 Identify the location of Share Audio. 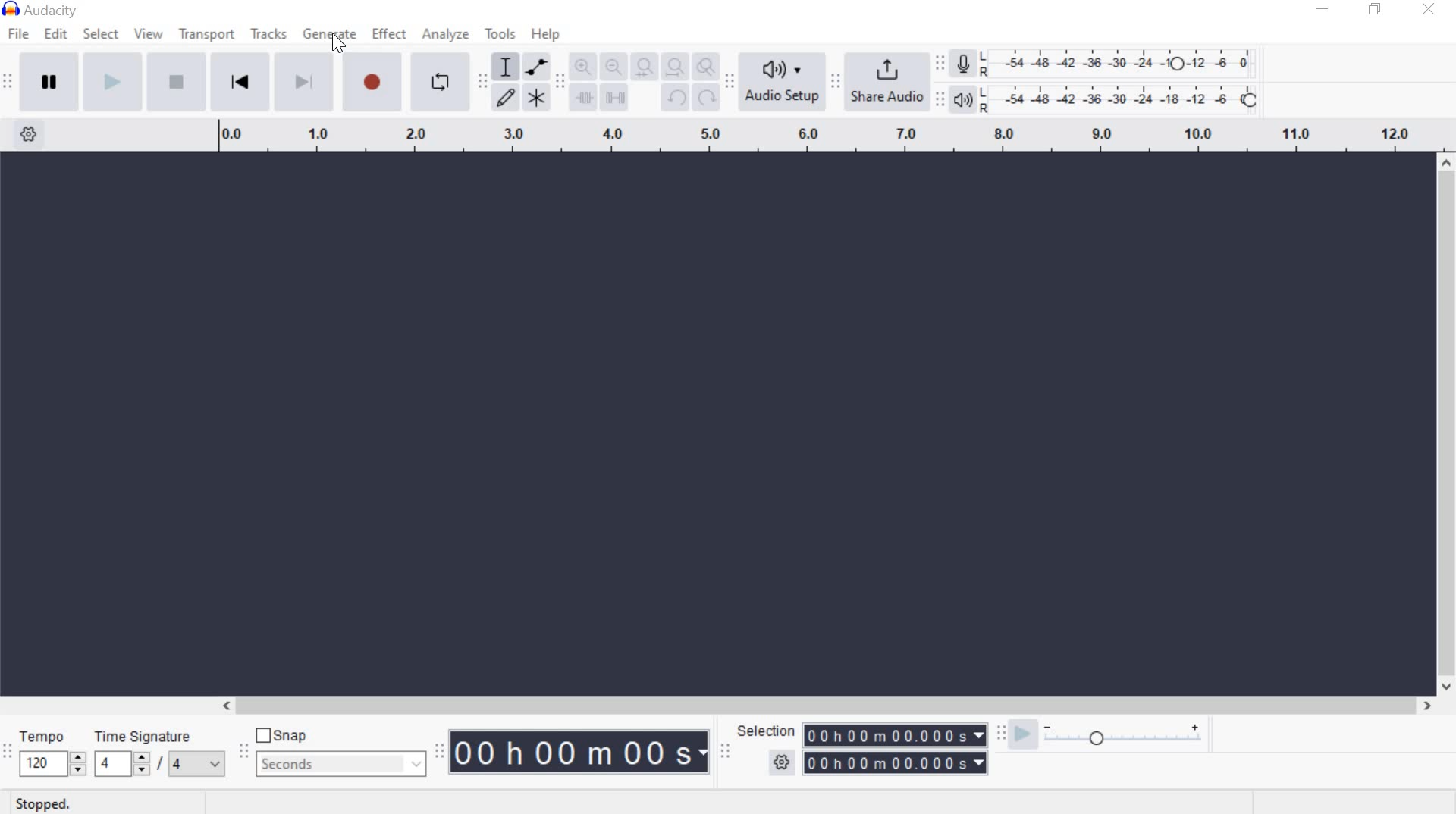
(884, 79).